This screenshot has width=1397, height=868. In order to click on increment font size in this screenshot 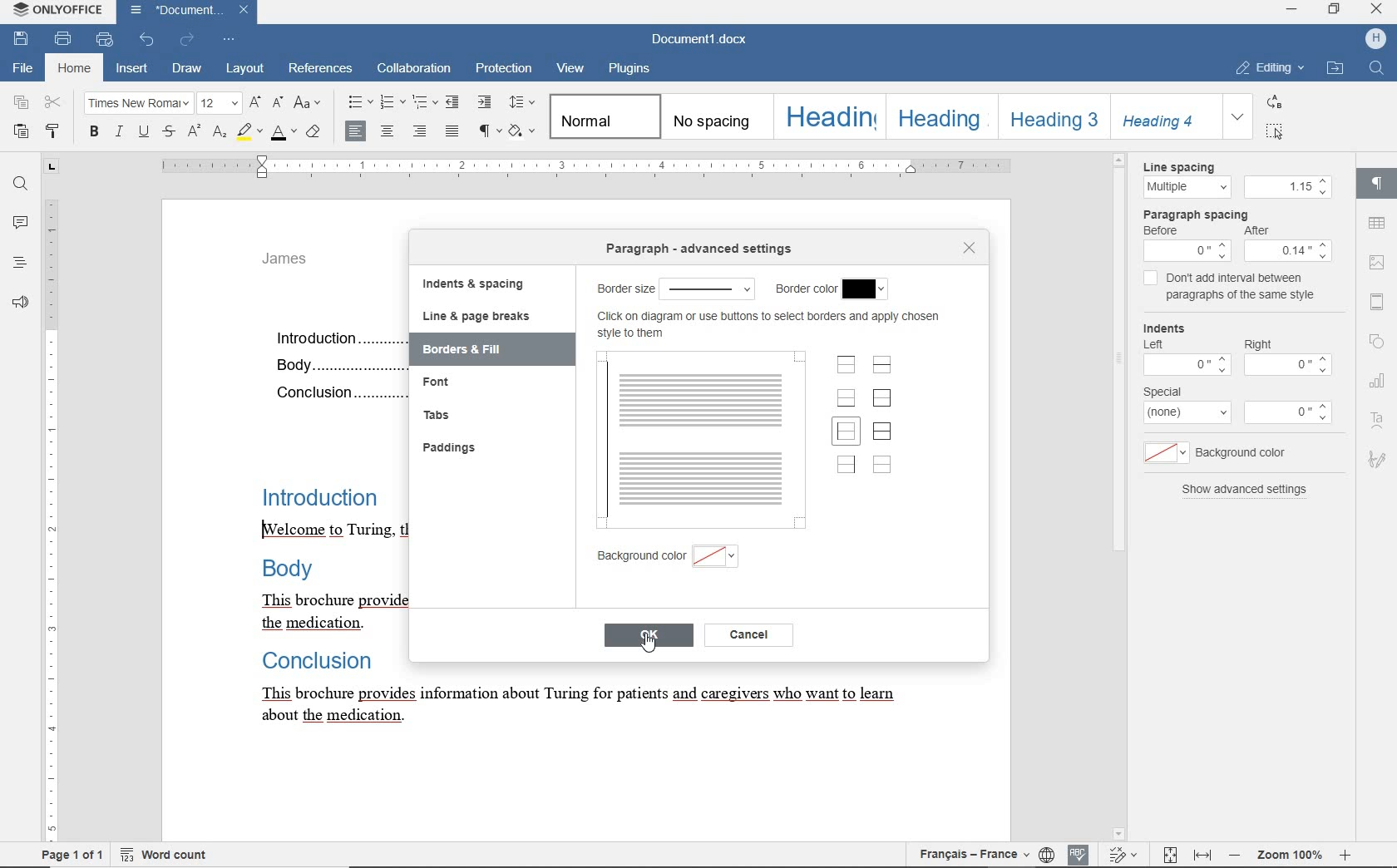, I will do `click(255, 103)`.